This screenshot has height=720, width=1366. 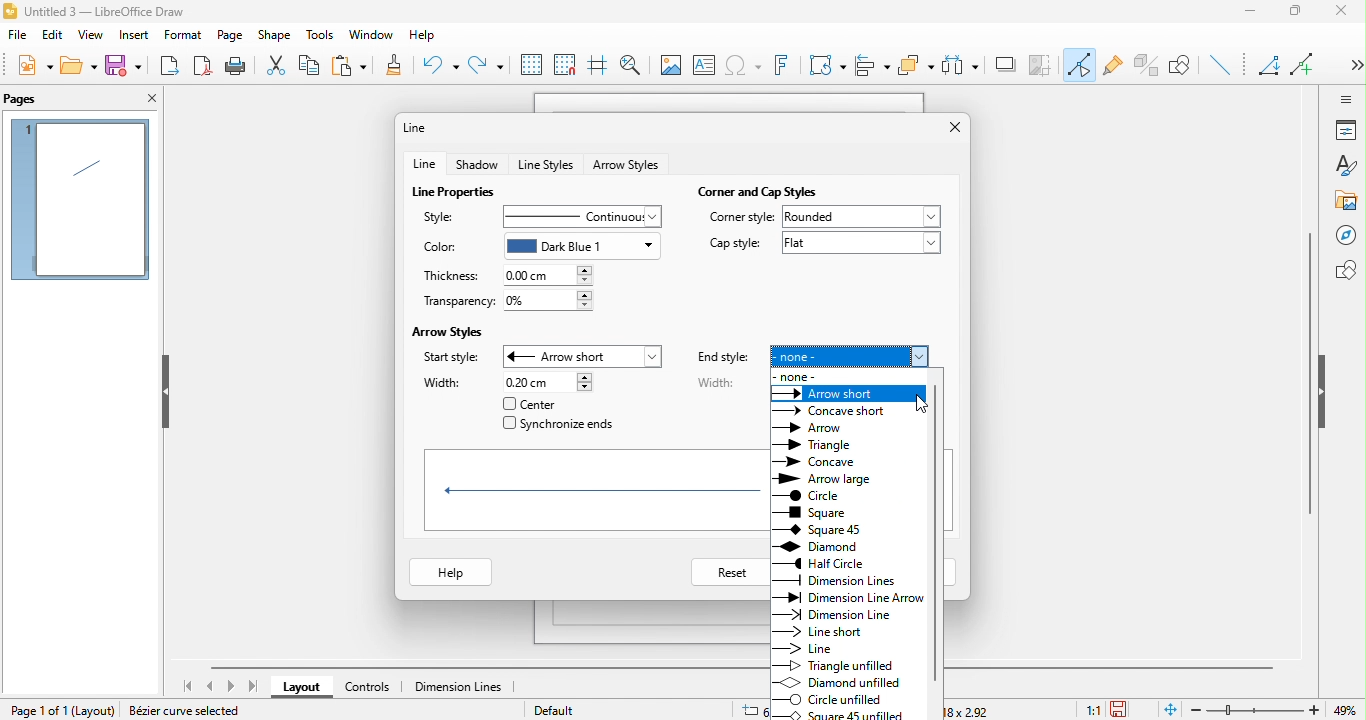 What do you see at coordinates (236, 66) in the screenshot?
I see `print` at bounding box center [236, 66].